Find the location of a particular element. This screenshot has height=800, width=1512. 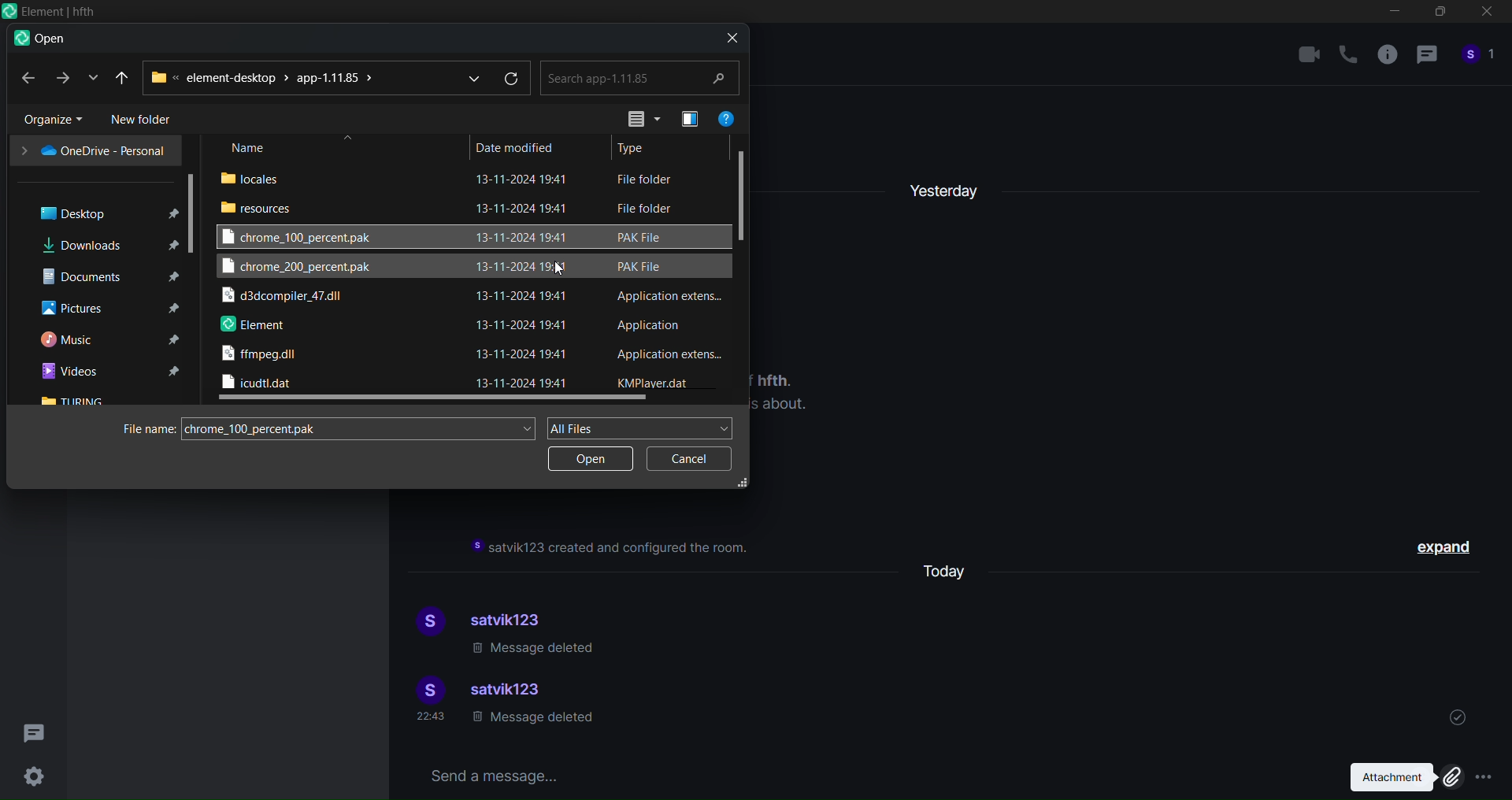

element is located at coordinates (254, 326).